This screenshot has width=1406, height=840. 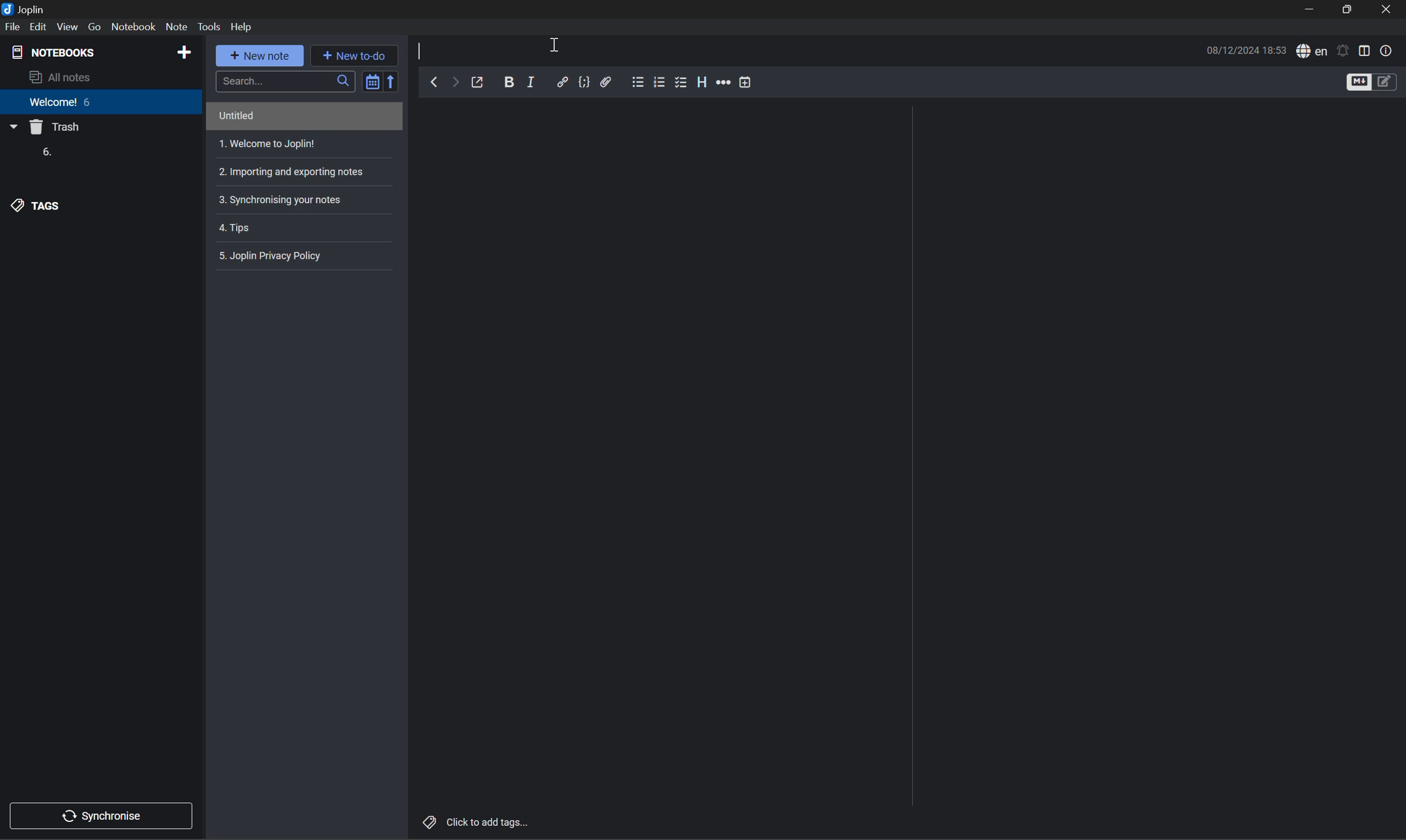 What do you see at coordinates (452, 83) in the screenshot?
I see `Forward` at bounding box center [452, 83].